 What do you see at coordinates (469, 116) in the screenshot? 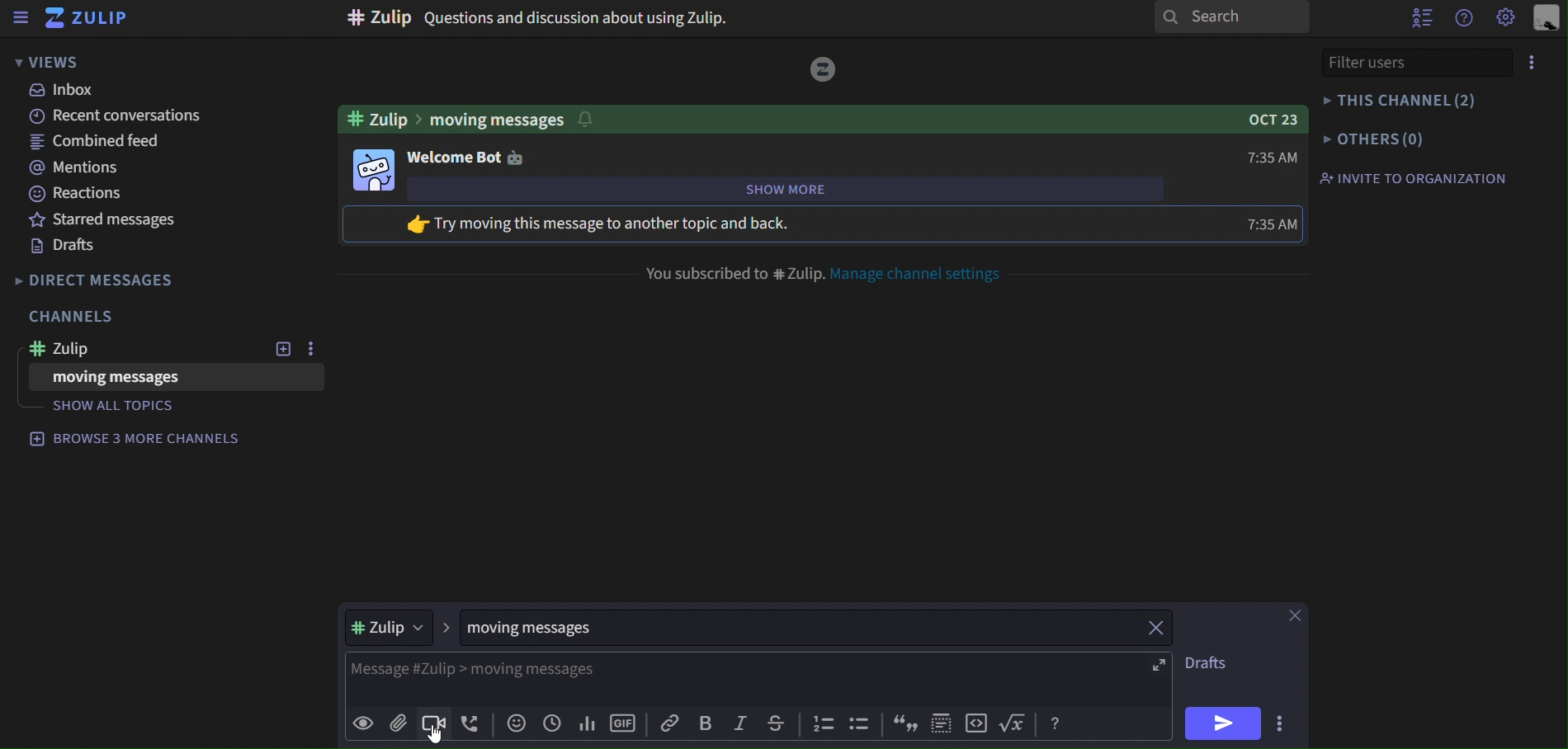
I see `#Zulip > moving messages` at bounding box center [469, 116].